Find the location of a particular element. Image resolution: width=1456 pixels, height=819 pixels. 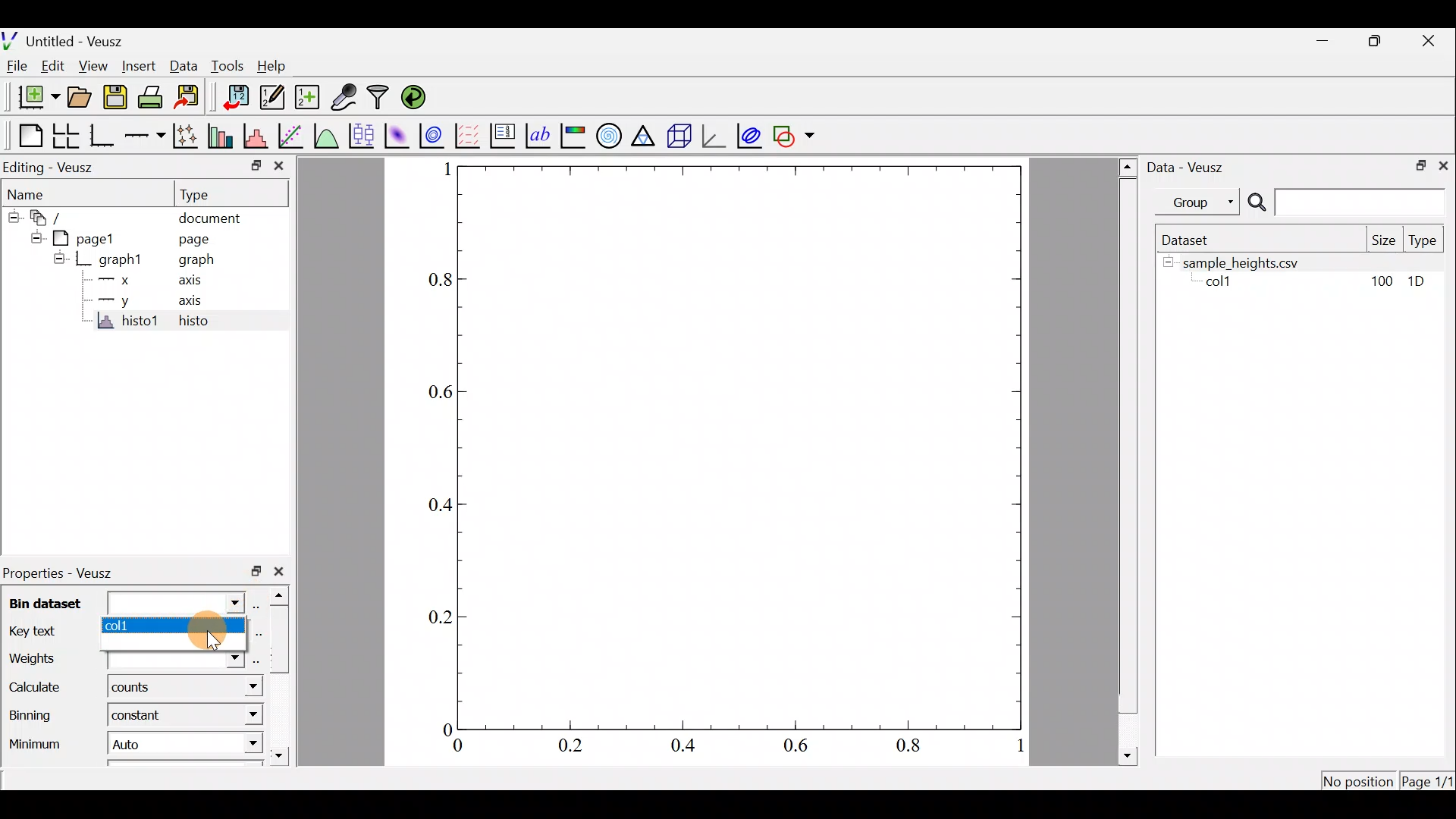

1 is located at coordinates (1010, 745).